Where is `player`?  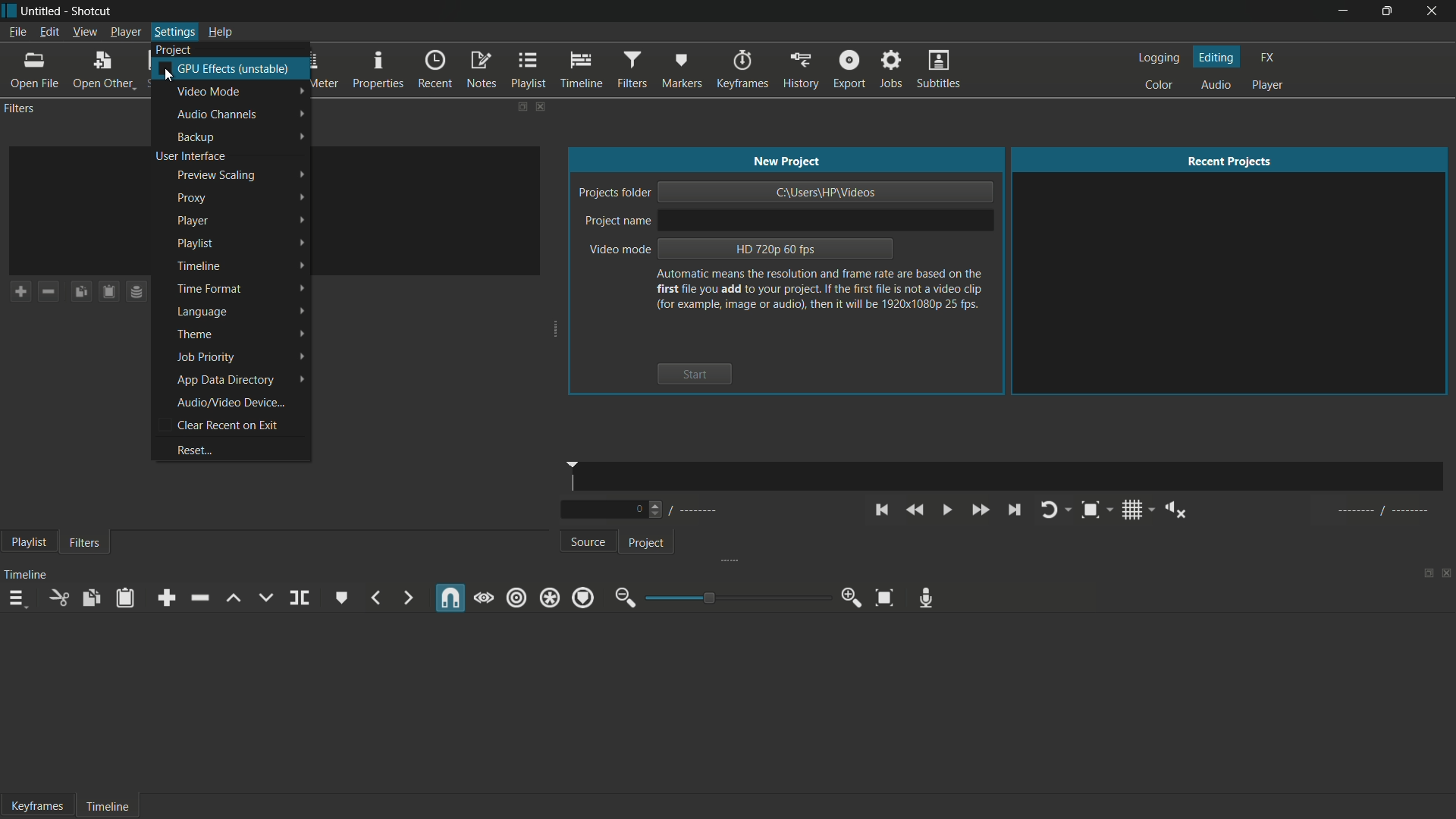
player is located at coordinates (192, 221).